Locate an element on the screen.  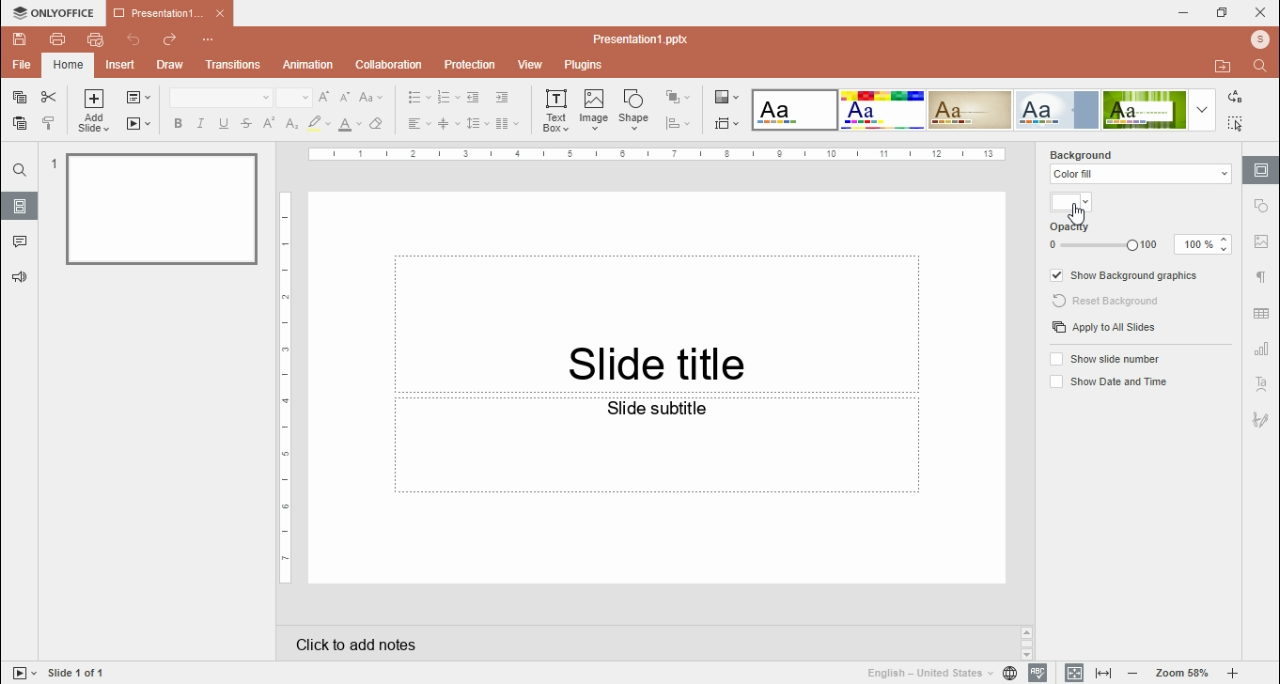
icon is located at coordinates (52, 12).